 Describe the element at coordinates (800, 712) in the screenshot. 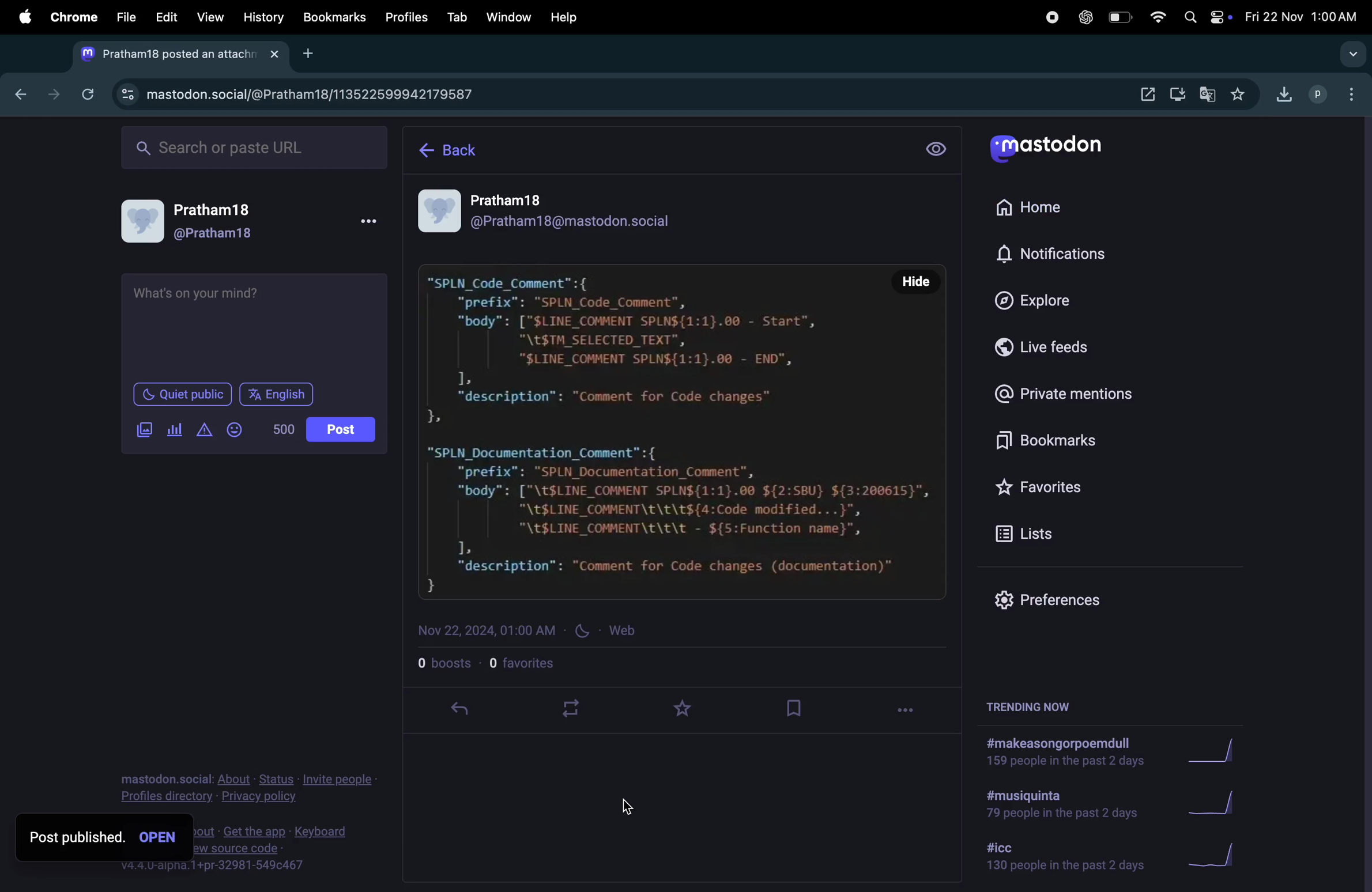

I see `book mark` at that location.